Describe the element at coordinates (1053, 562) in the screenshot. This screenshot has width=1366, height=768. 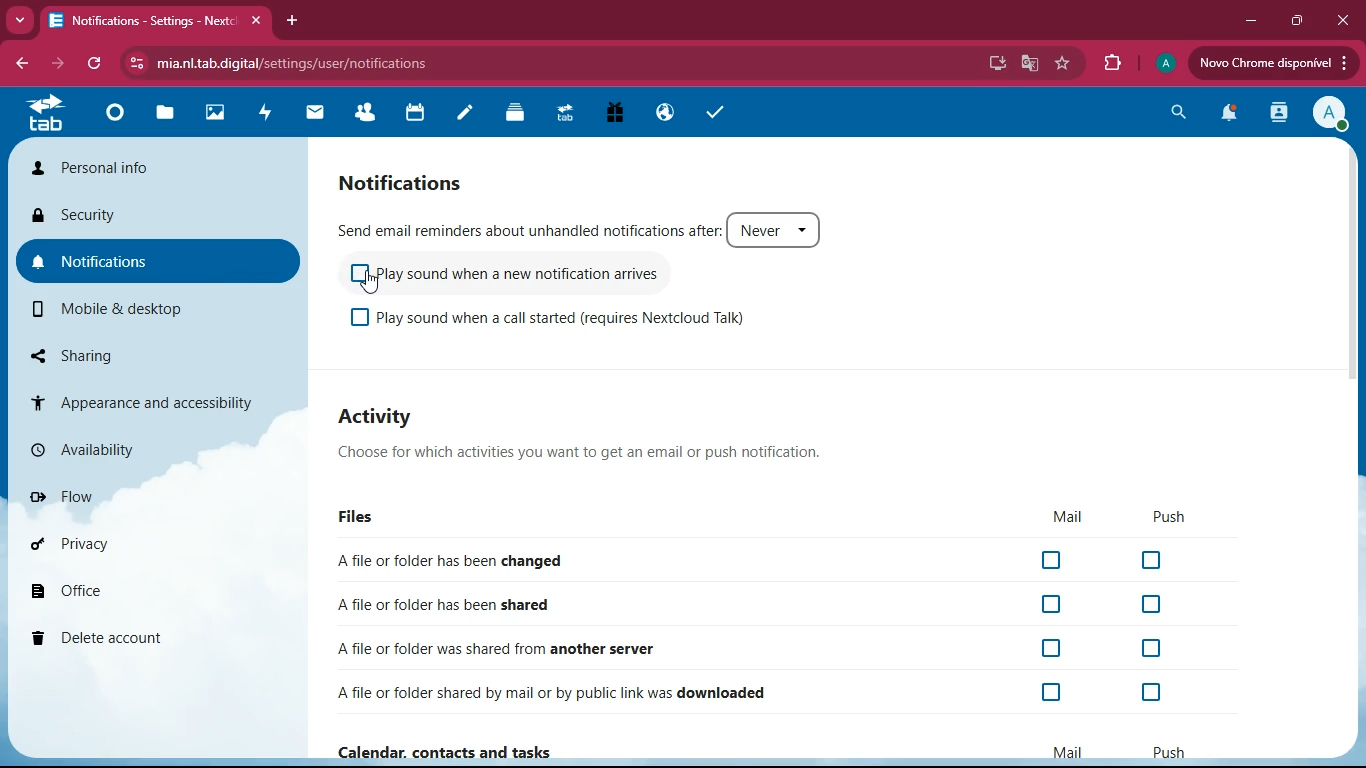
I see `off` at that location.